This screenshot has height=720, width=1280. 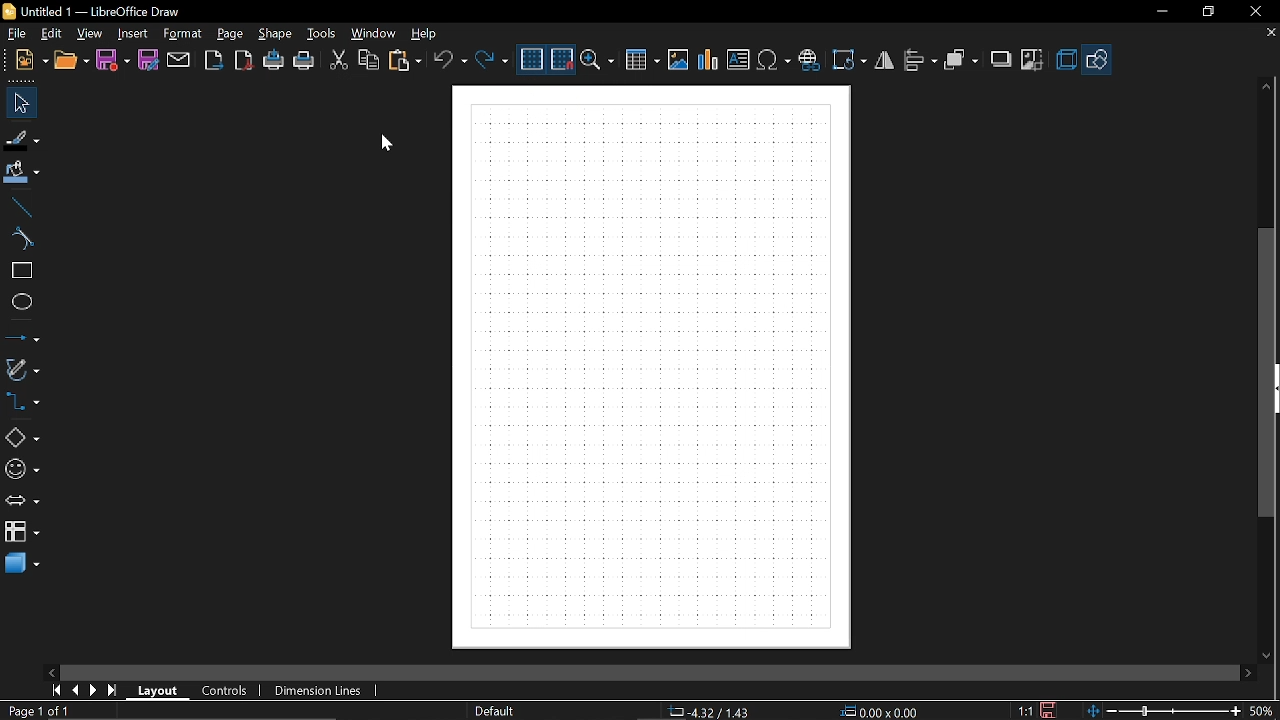 I want to click on line, so click(x=21, y=207).